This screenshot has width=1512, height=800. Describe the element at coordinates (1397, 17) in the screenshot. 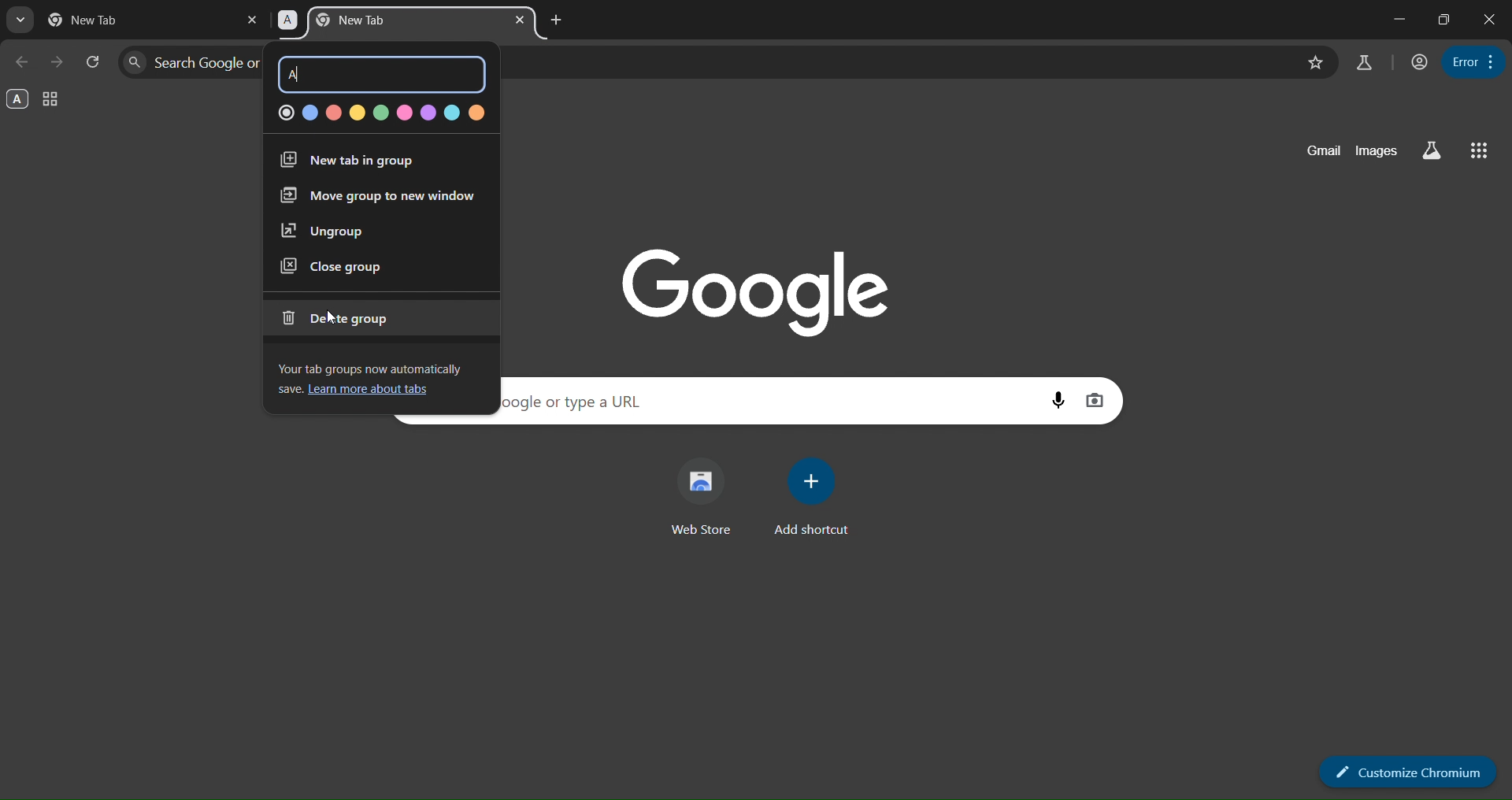

I see `minimize` at that location.